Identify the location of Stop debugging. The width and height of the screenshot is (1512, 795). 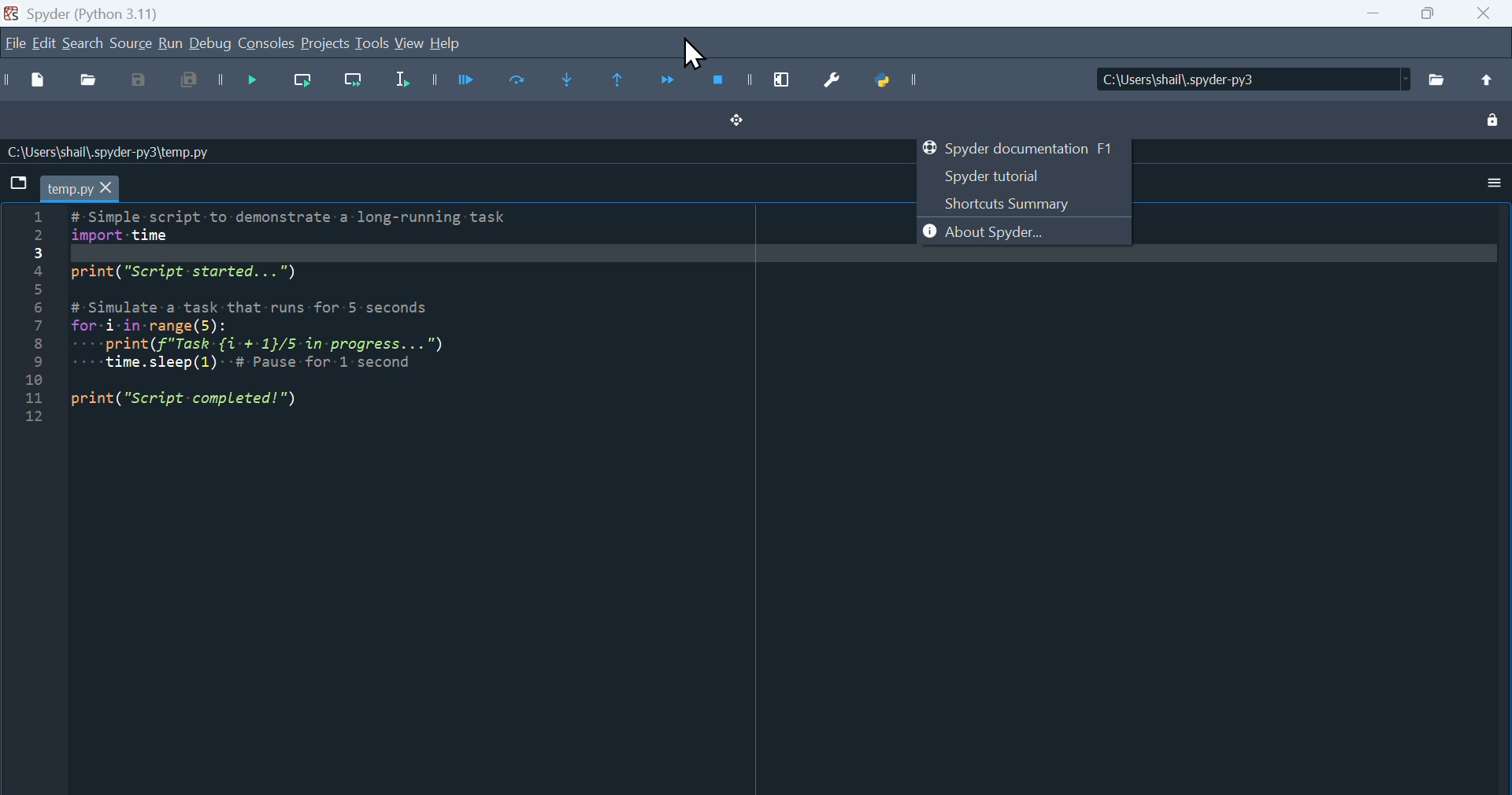
(717, 80).